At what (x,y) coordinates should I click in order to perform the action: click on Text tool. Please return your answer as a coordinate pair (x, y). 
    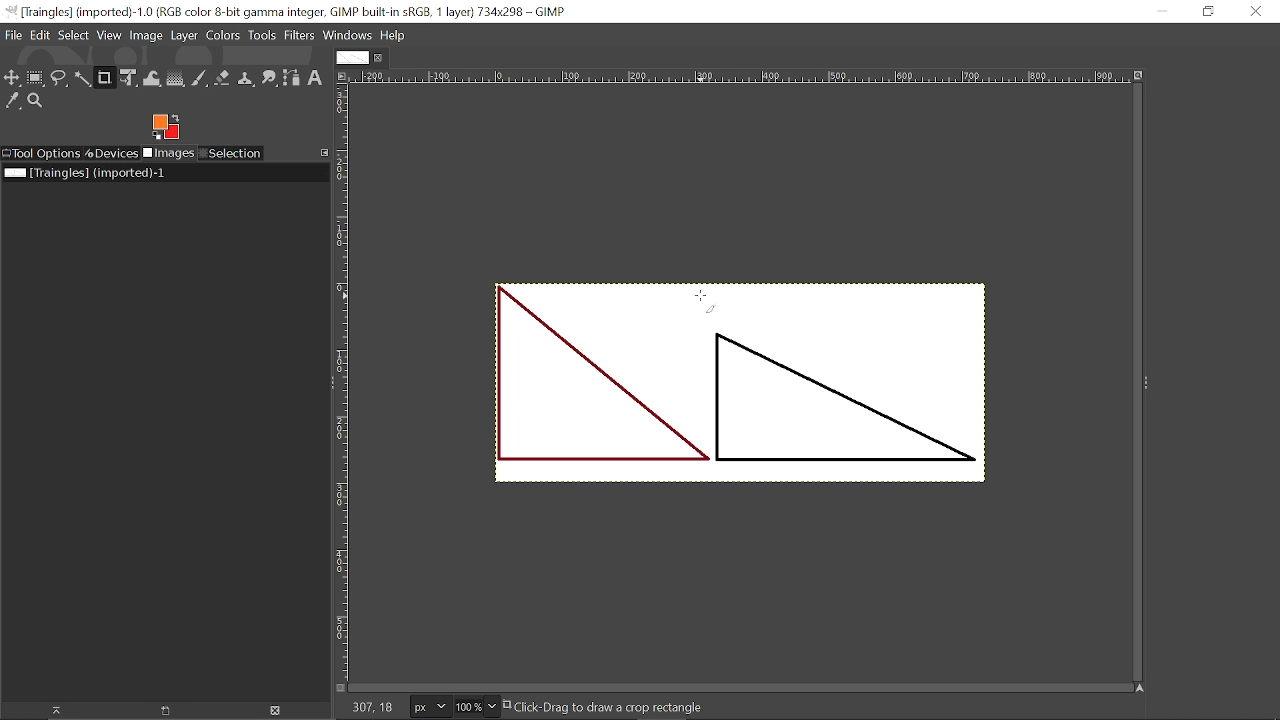
    Looking at the image, I should click on (315, 79).